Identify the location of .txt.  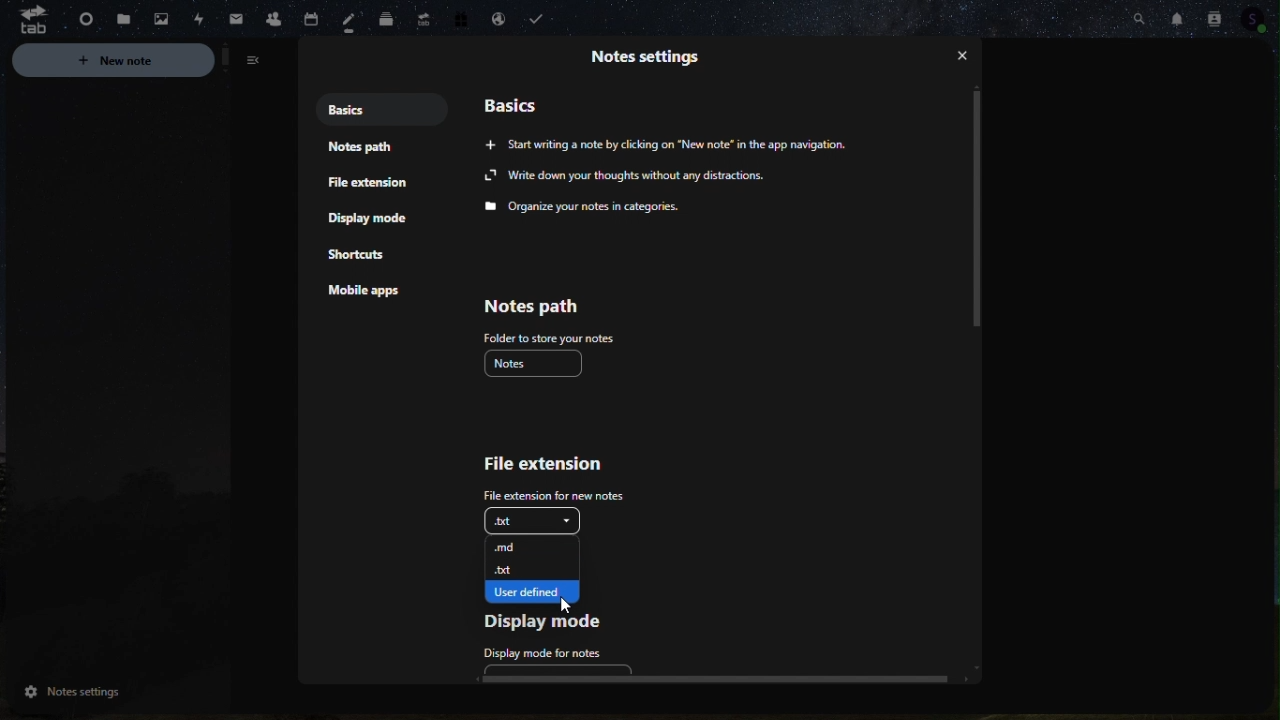
(538, 566).